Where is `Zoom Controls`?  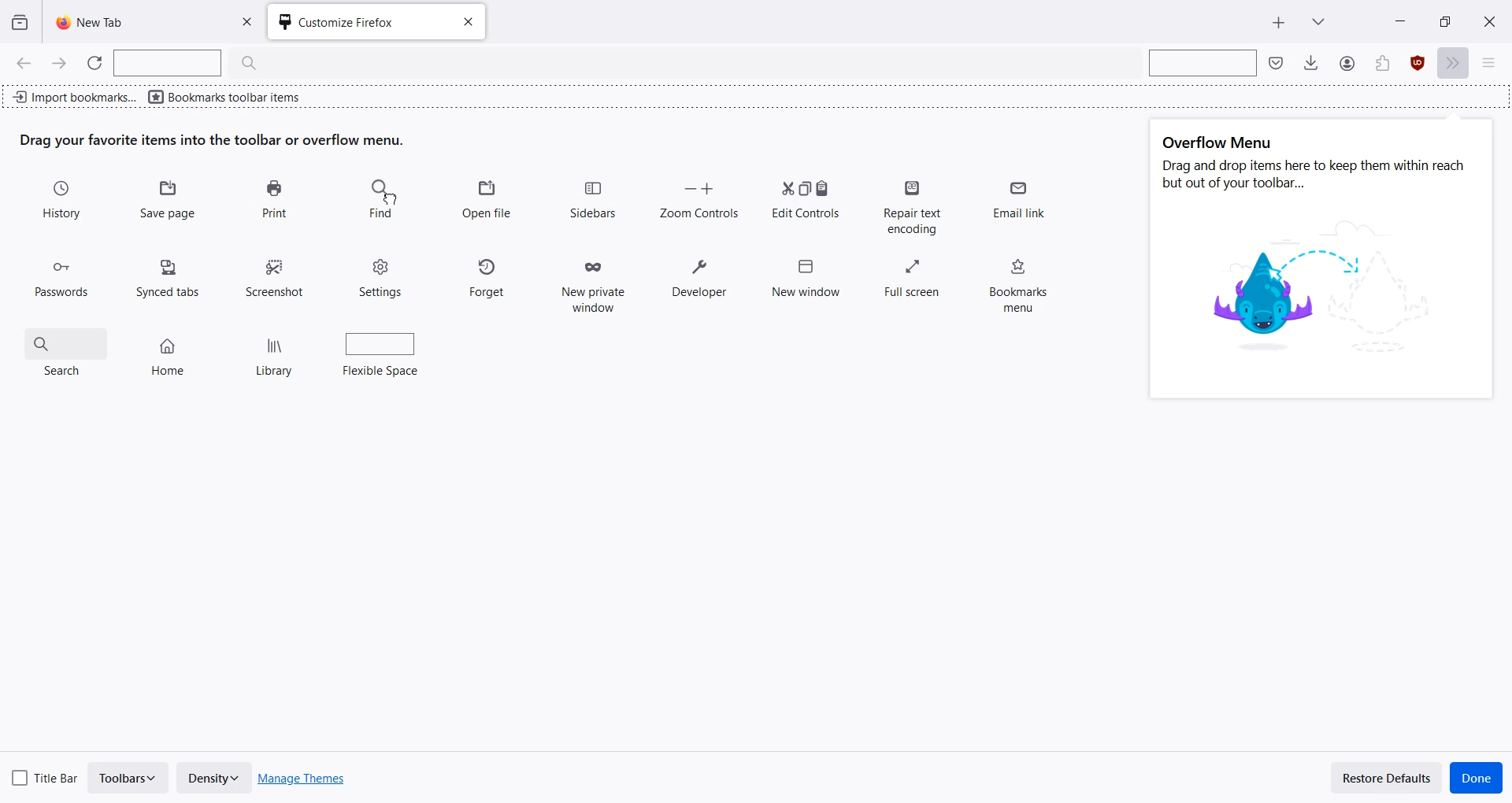 Zoom Controls is located at coordinates (699, 198).